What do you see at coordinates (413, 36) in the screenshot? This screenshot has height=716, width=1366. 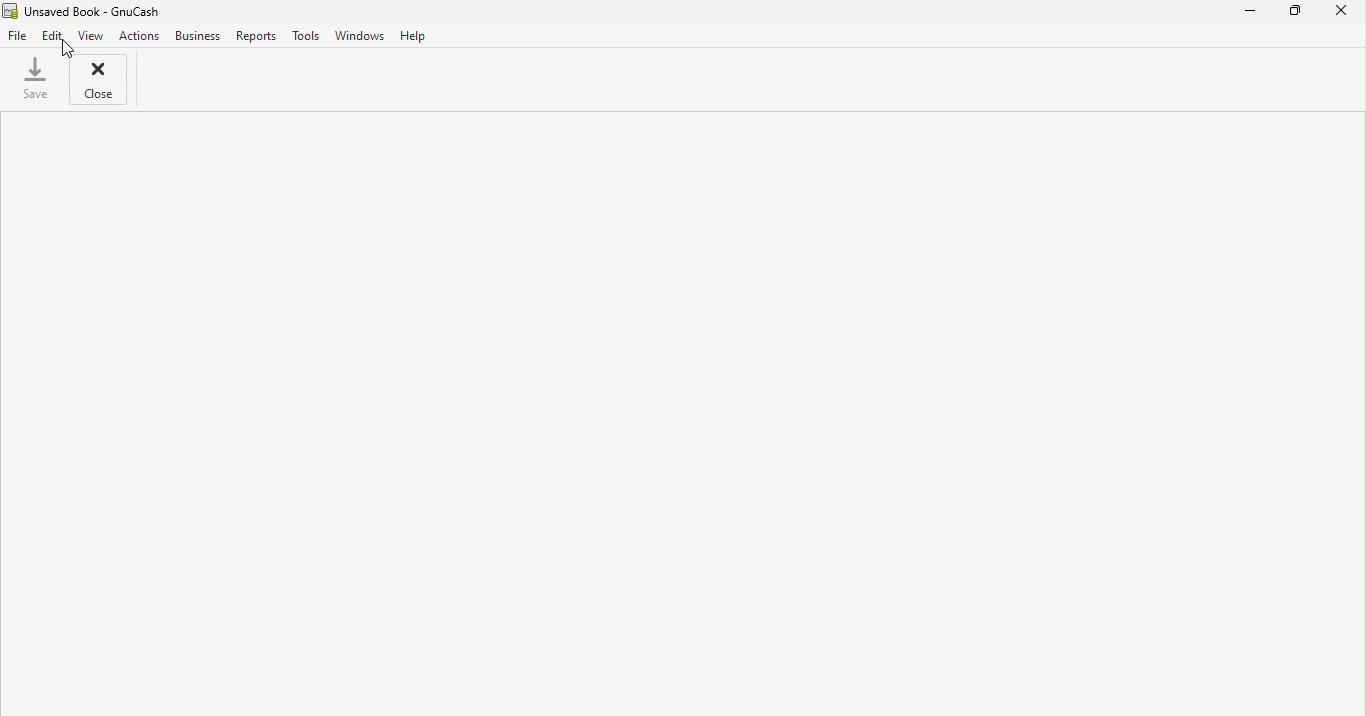 I see `Help` at bounding box center [413, 36].